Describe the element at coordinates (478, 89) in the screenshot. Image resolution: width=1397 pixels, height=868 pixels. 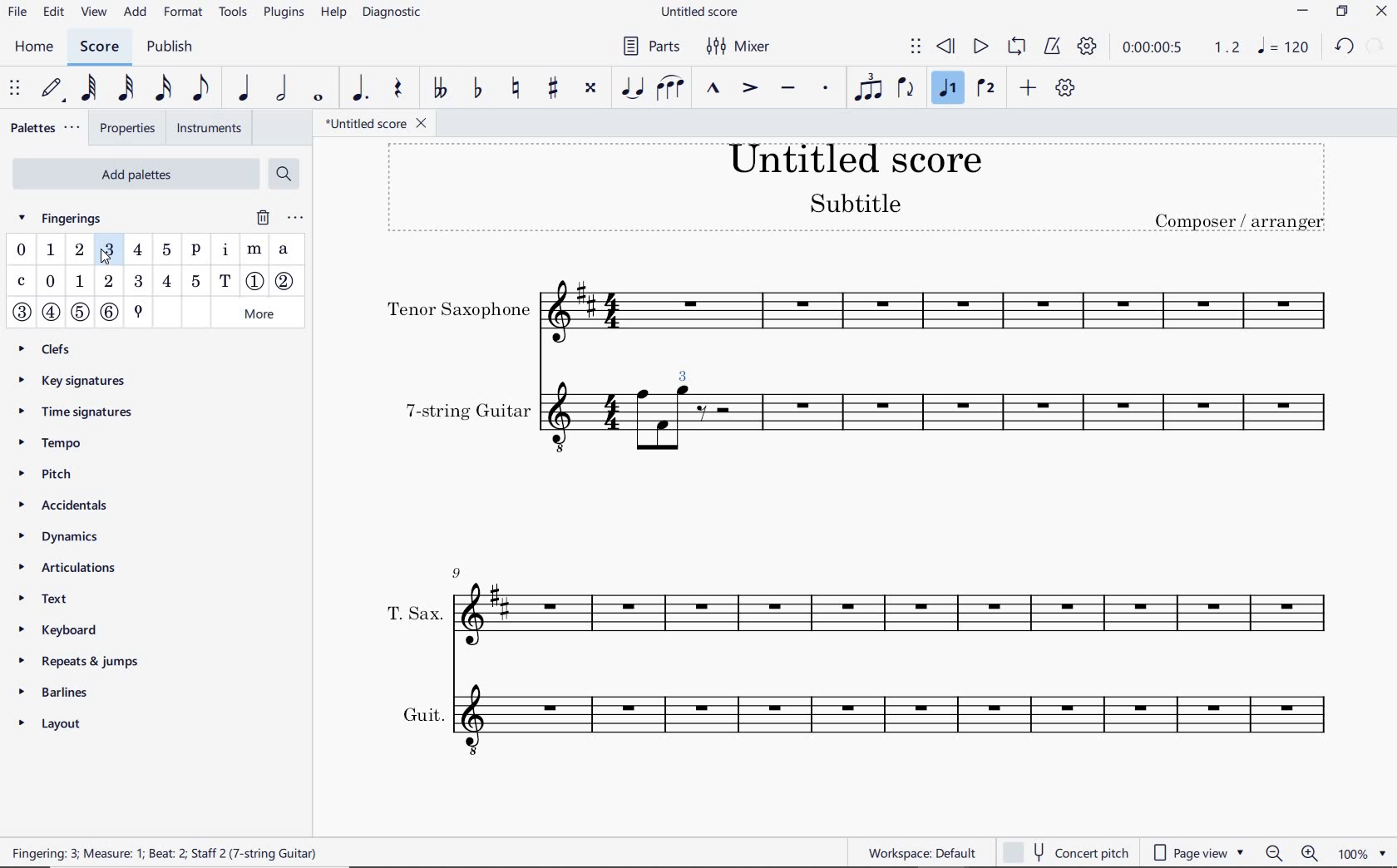
I see `TOGGLE FLAT` at that location.